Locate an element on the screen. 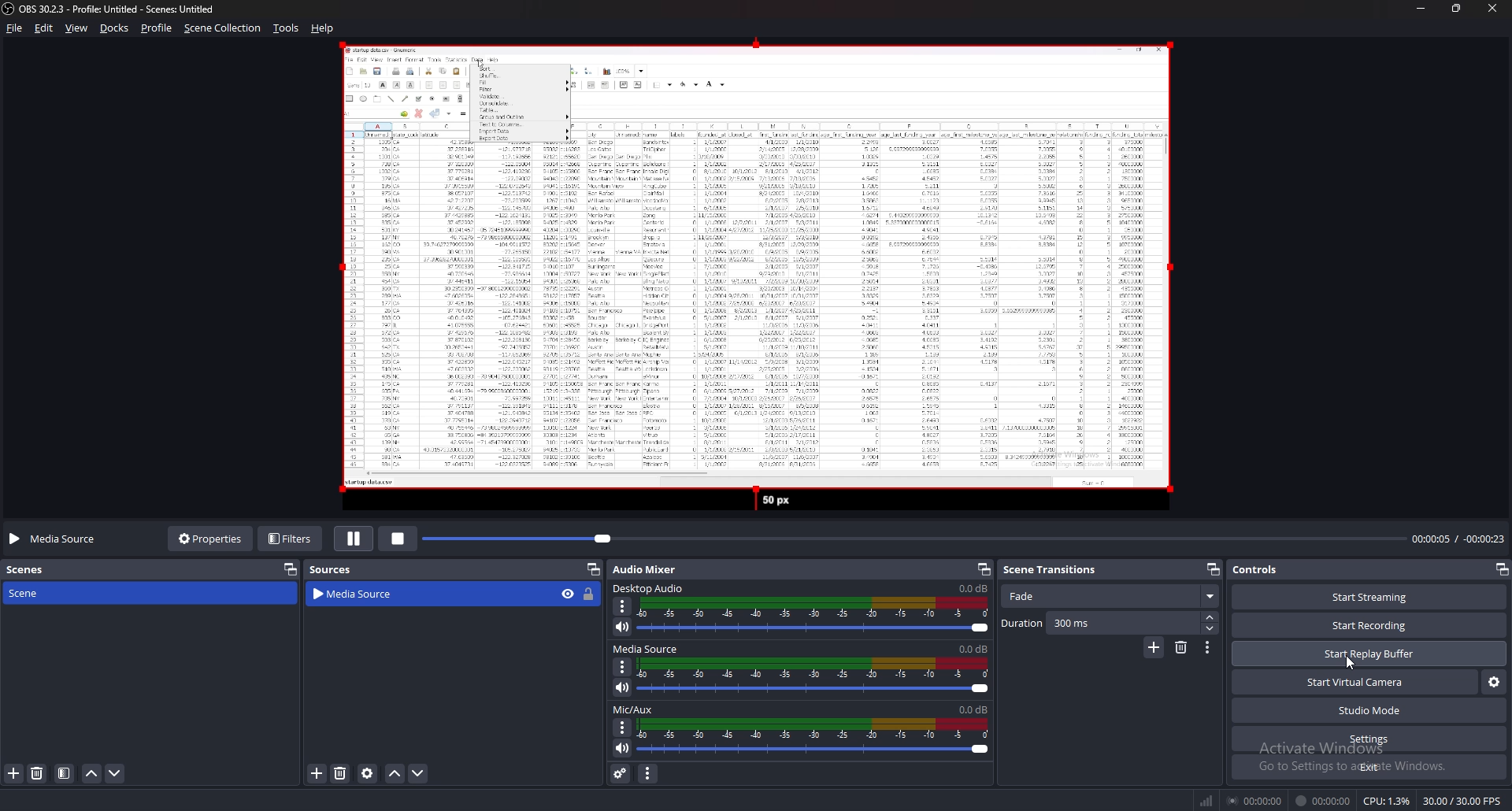 This screenshot has height=811, width=1512. hide is located at coordinates (568, 594).